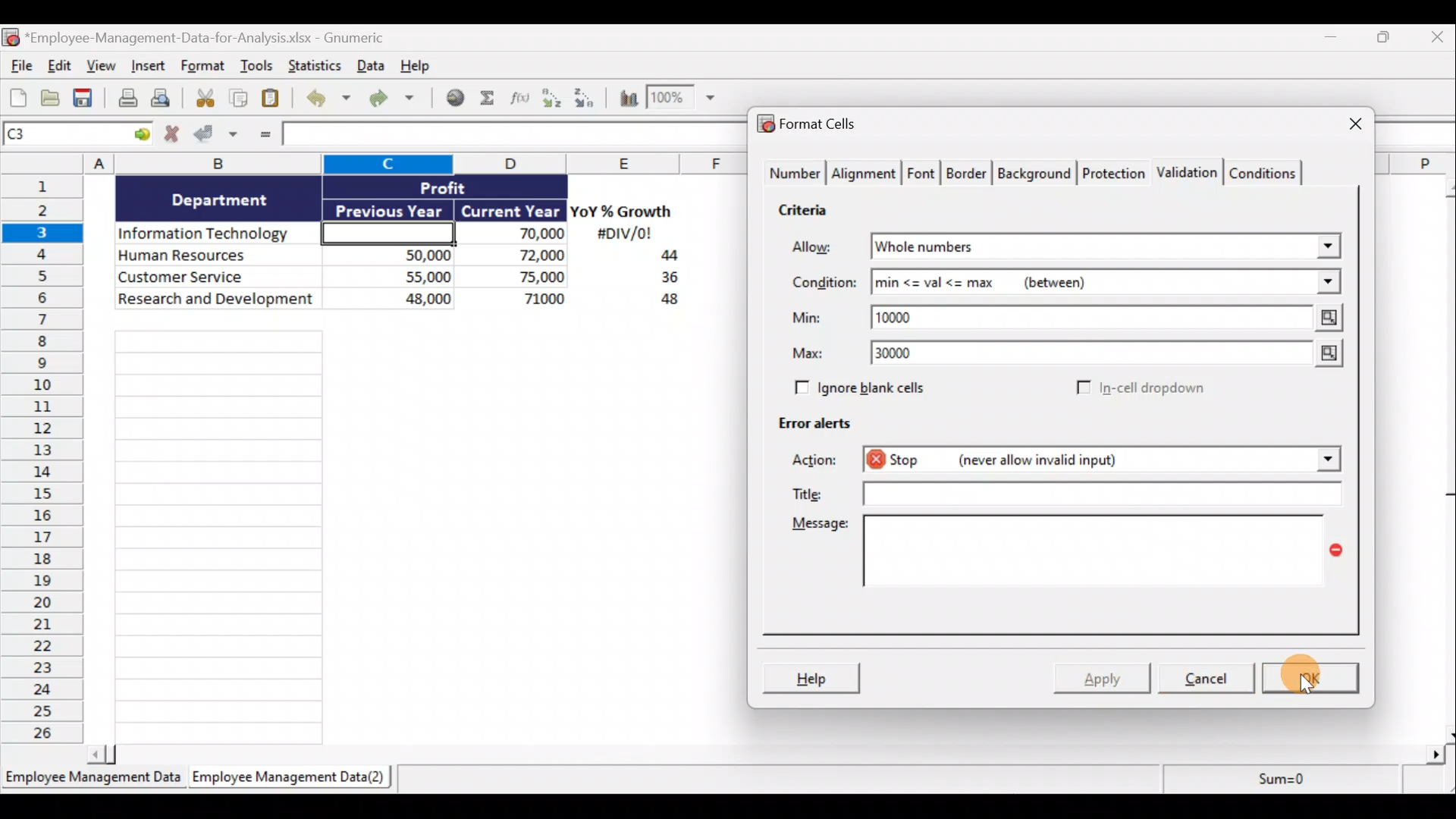 This screenshot has height=819, width=1456. What do you see at coordinates (262, 136) in the screenshot?
I see `Enter formula` at bounding box center [262, 136].